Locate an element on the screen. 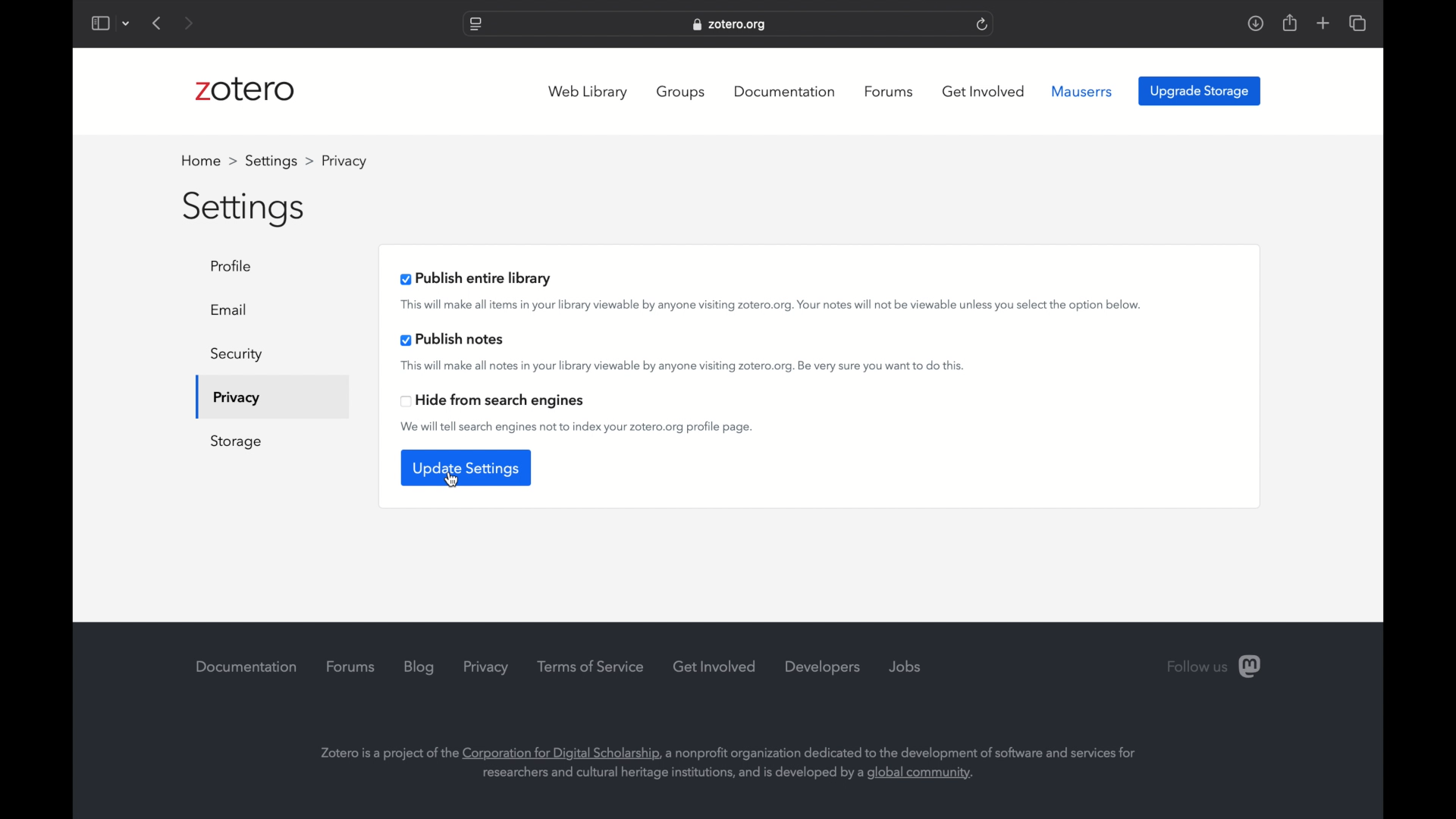 The height and width of the screenshot is (819, 1456). this will make all items in your library viewable is located at coordinates (773, 306).